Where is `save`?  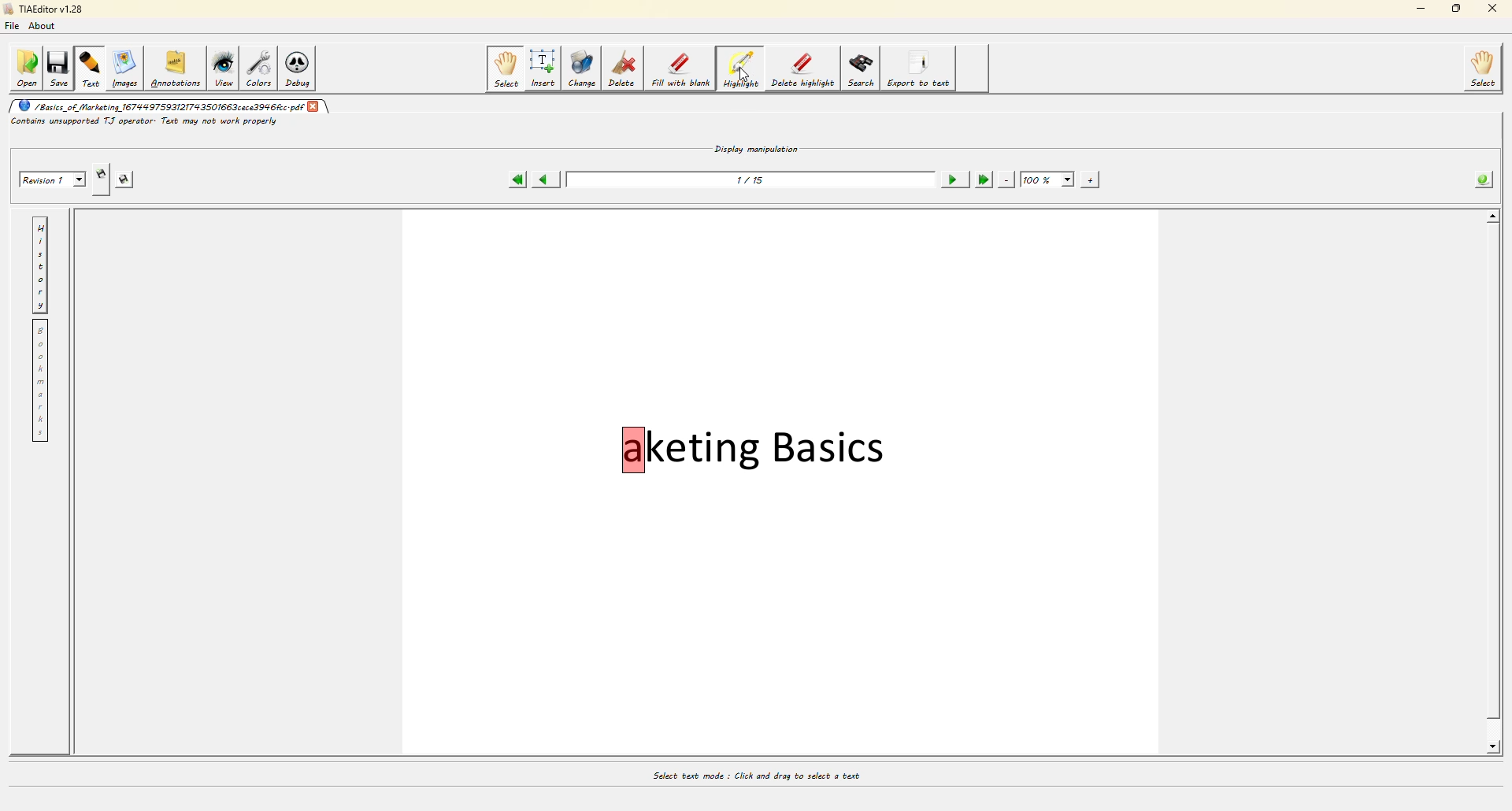 save is located at coordinates (57, 69).